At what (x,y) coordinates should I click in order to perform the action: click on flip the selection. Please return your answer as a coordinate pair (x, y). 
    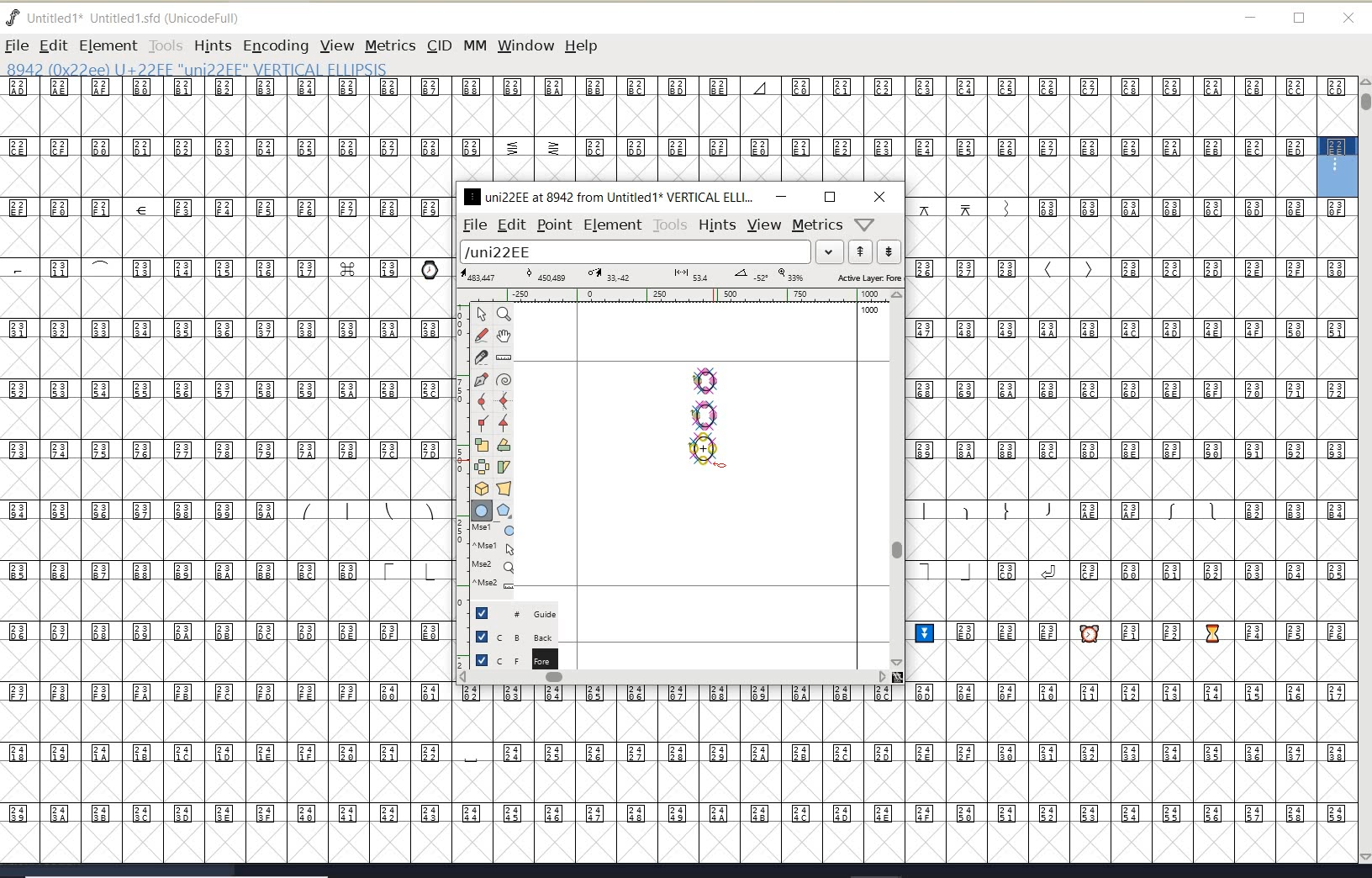
    Looking at the image, I should click on (482, 467).